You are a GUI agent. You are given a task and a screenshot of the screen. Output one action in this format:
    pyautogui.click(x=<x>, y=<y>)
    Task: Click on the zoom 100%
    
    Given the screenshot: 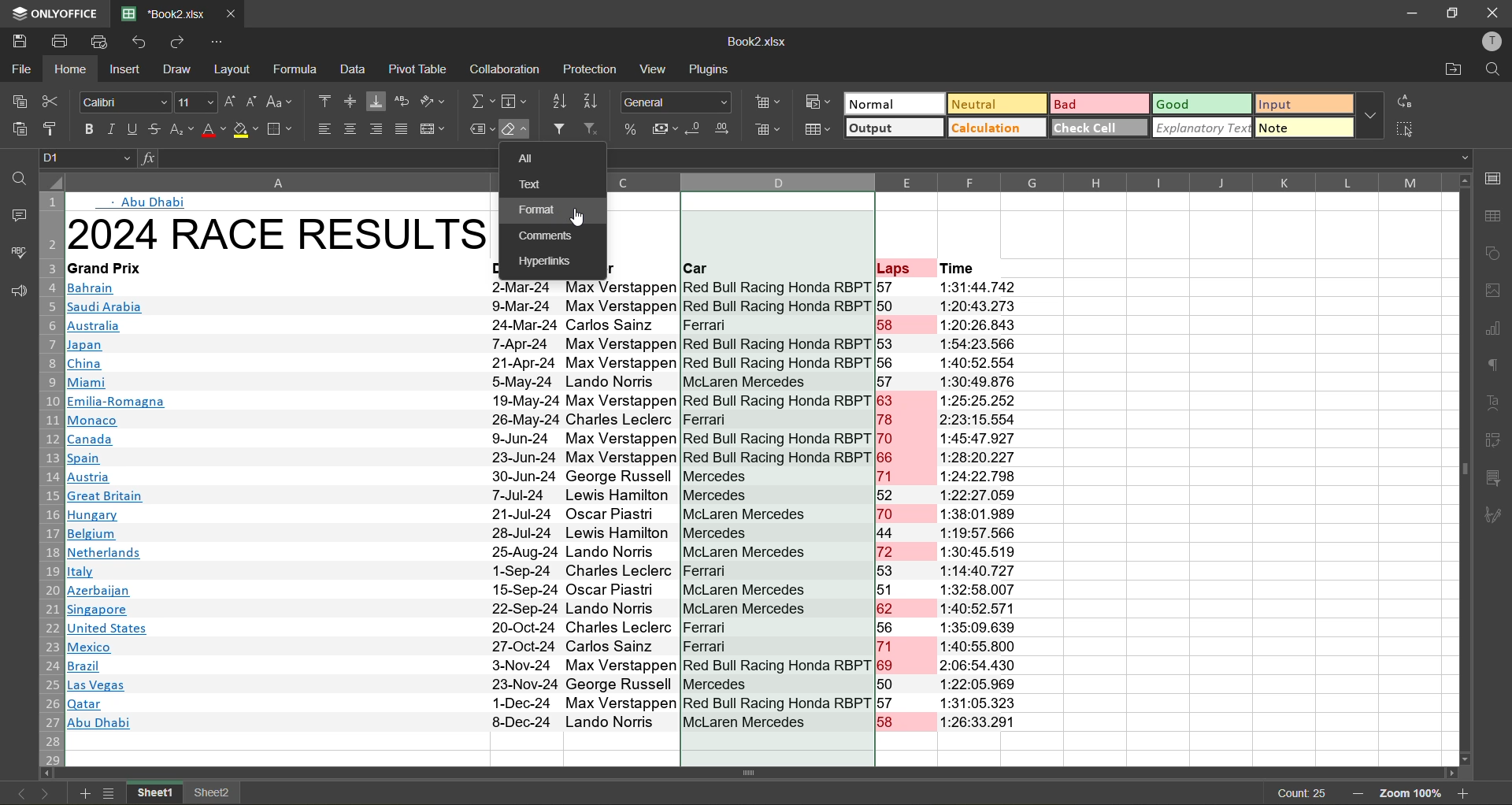 What is the action you would take?
    pyautogui.click(x=1414, y=796)
    